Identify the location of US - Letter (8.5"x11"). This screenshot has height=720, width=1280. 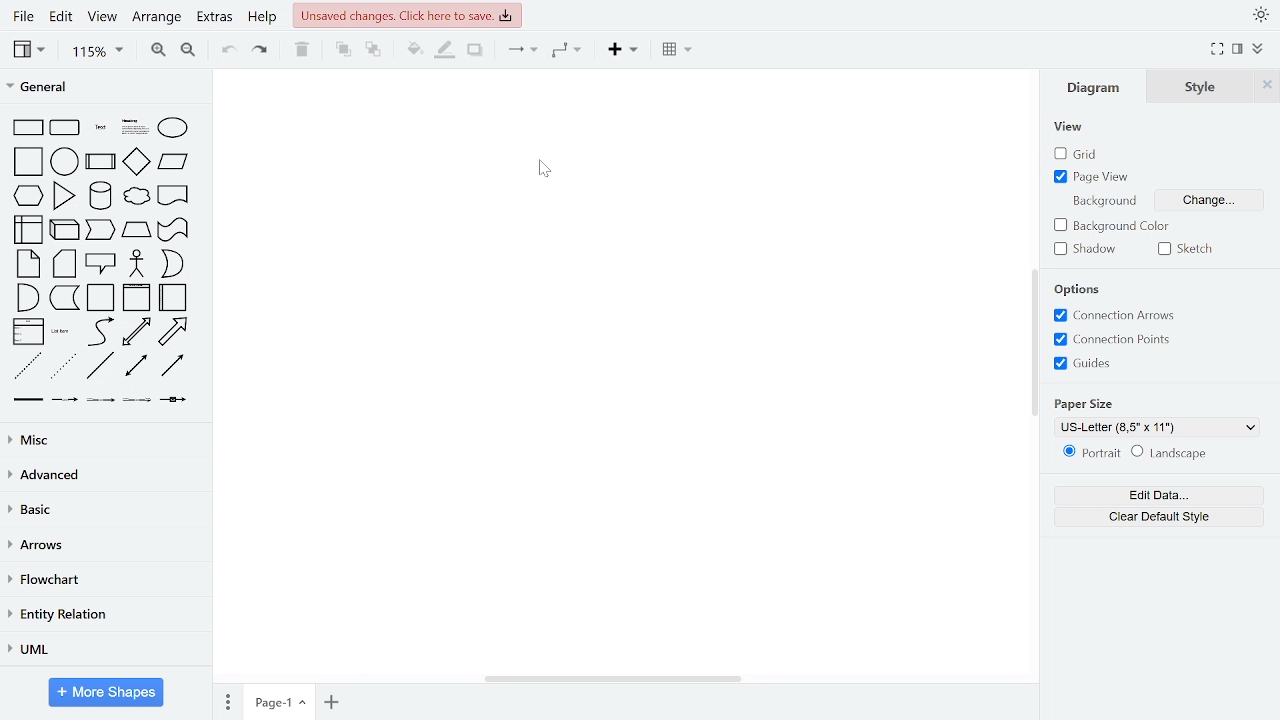
(1155, 427).